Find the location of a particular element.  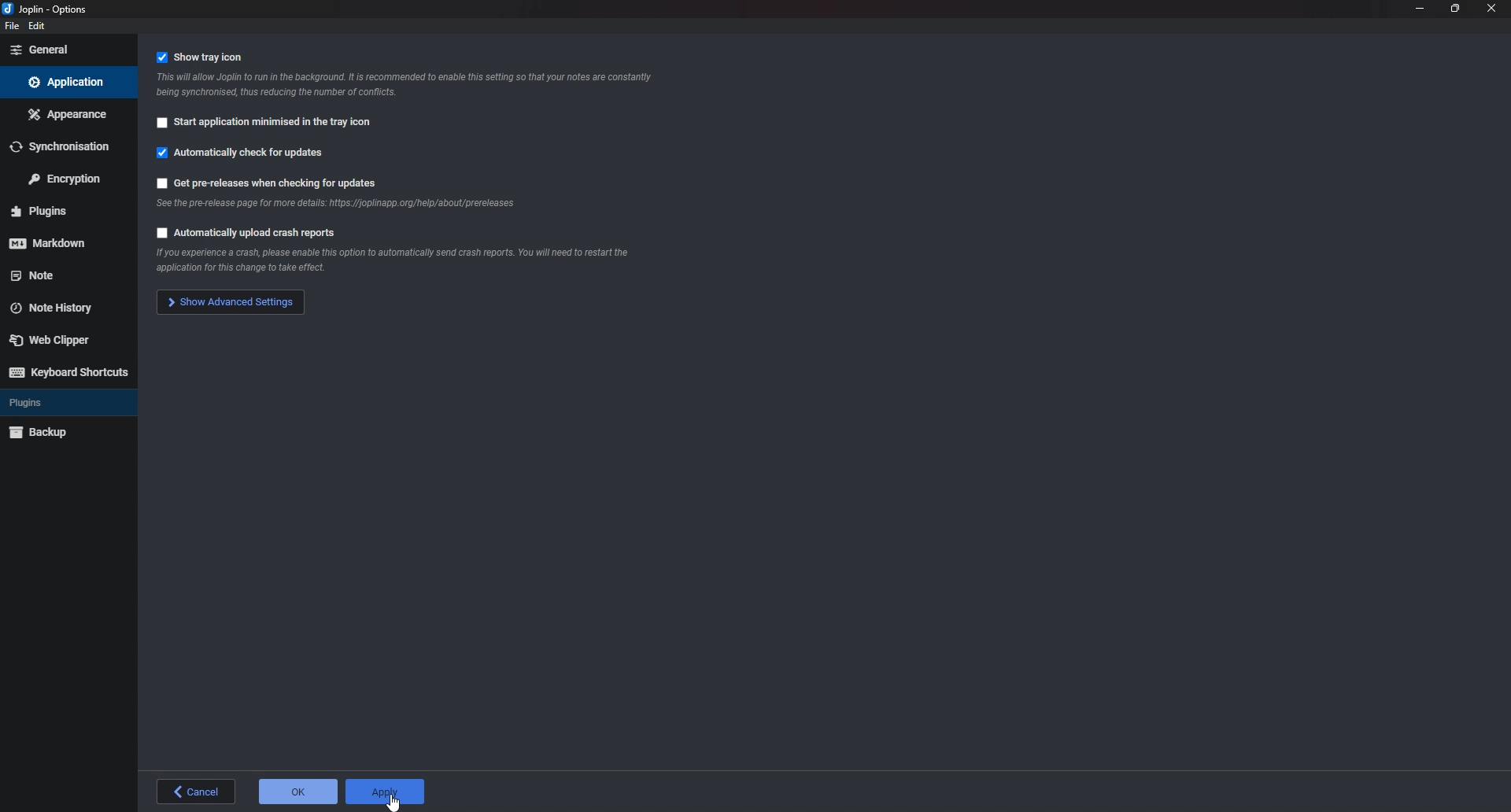

Synchronization is located at coordinates (67, 144).